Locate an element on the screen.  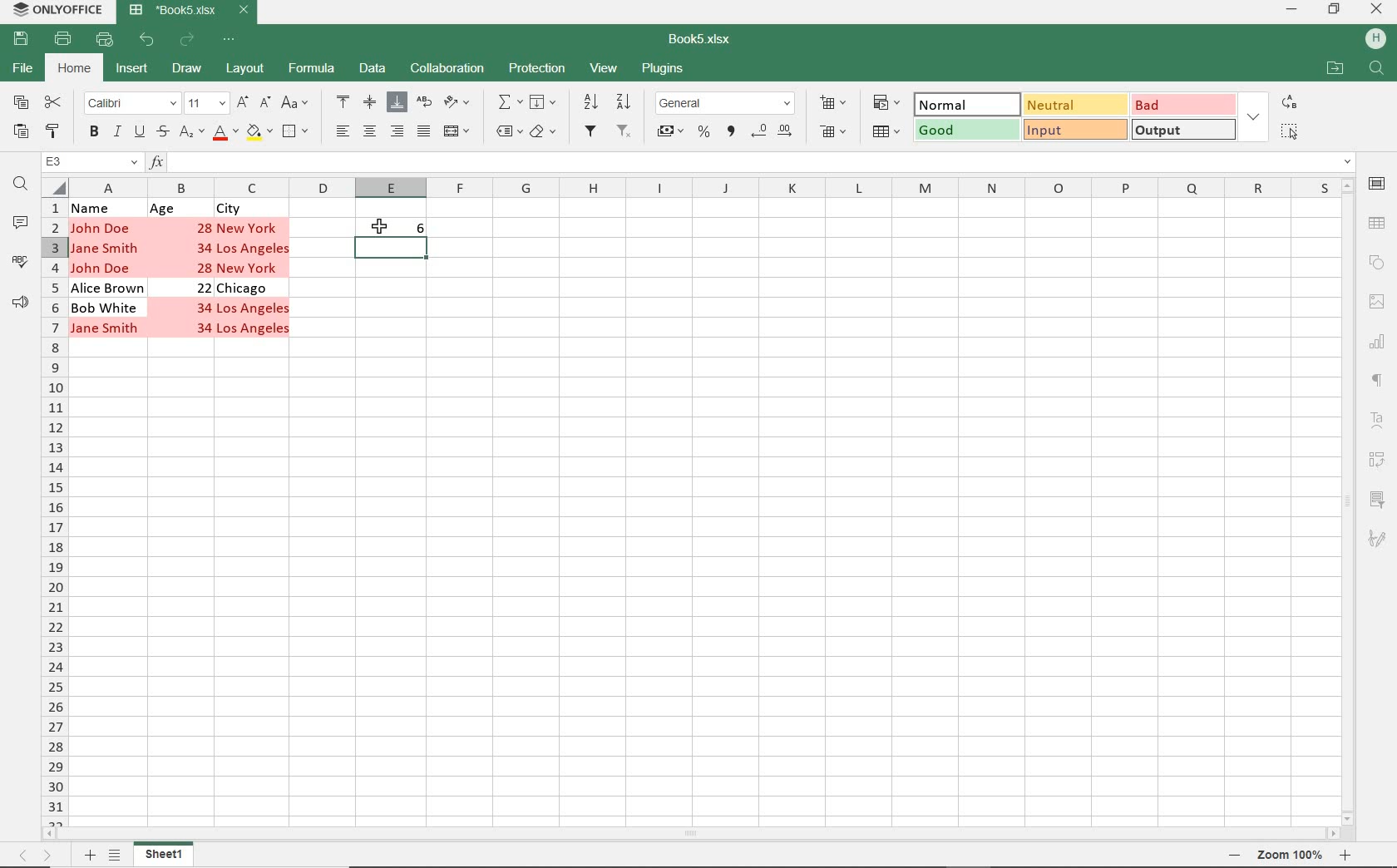
SYSTEM NAME is located at coordinates (56, 9).